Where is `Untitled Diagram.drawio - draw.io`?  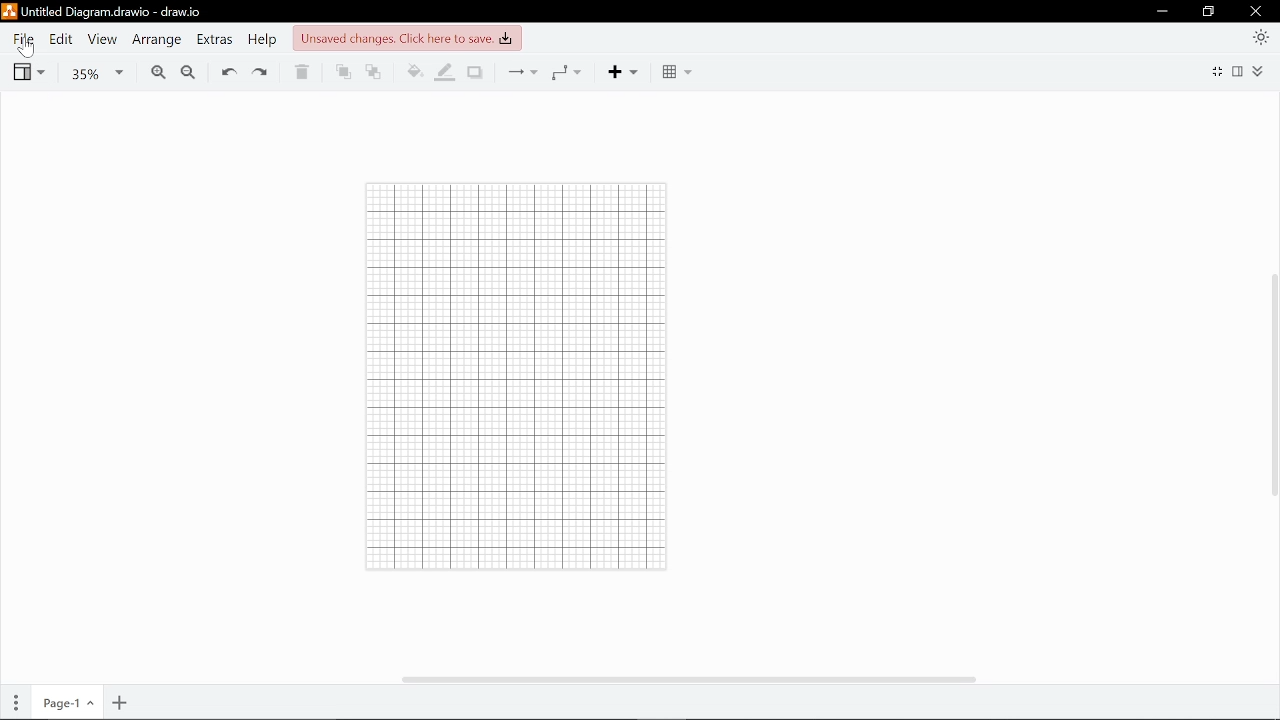
Untitled Diagram.drawio - draw.io is located at coordinates (116, 12).